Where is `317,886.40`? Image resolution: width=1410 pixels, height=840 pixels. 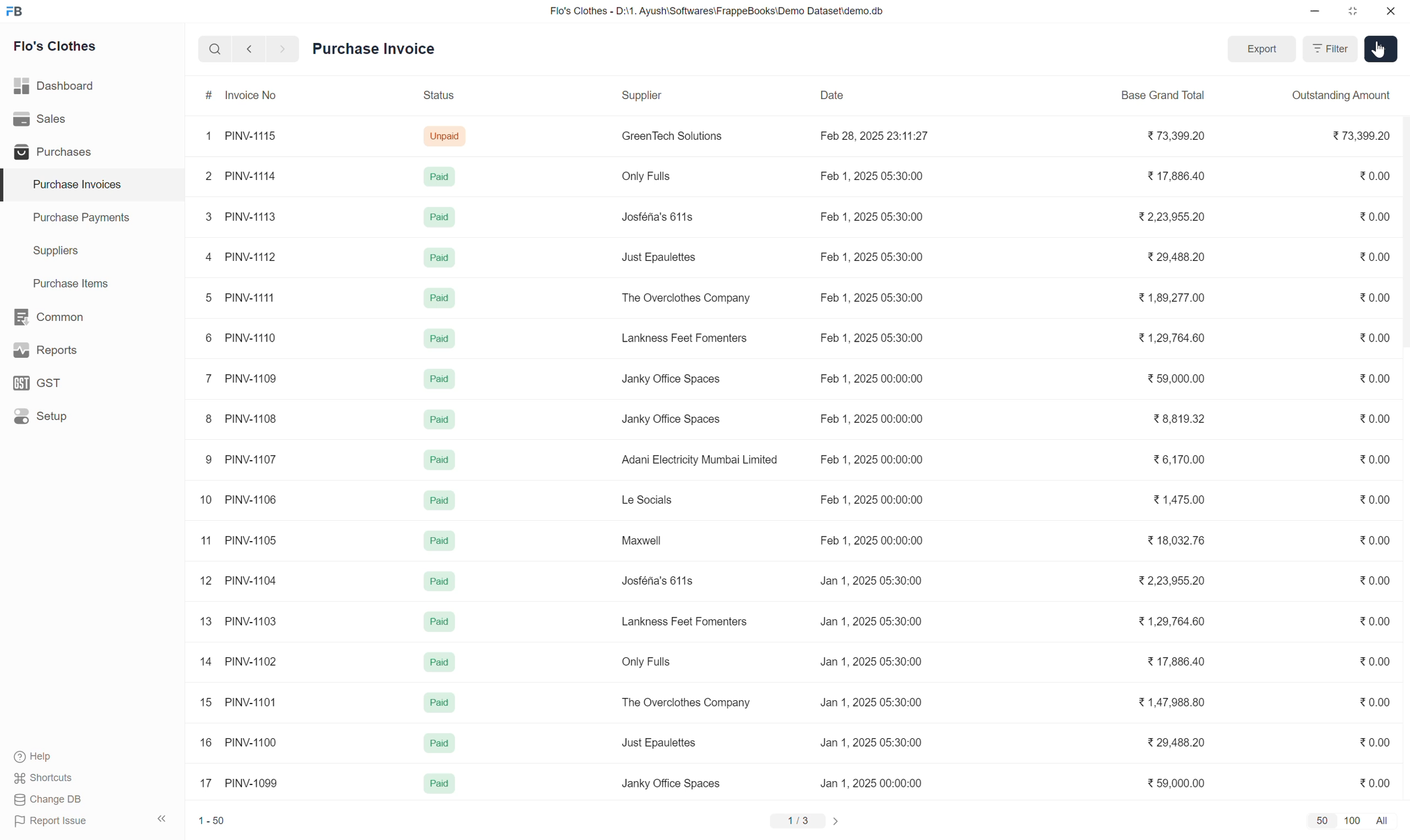
317,886.40 is located at coordinates (1181, 178).